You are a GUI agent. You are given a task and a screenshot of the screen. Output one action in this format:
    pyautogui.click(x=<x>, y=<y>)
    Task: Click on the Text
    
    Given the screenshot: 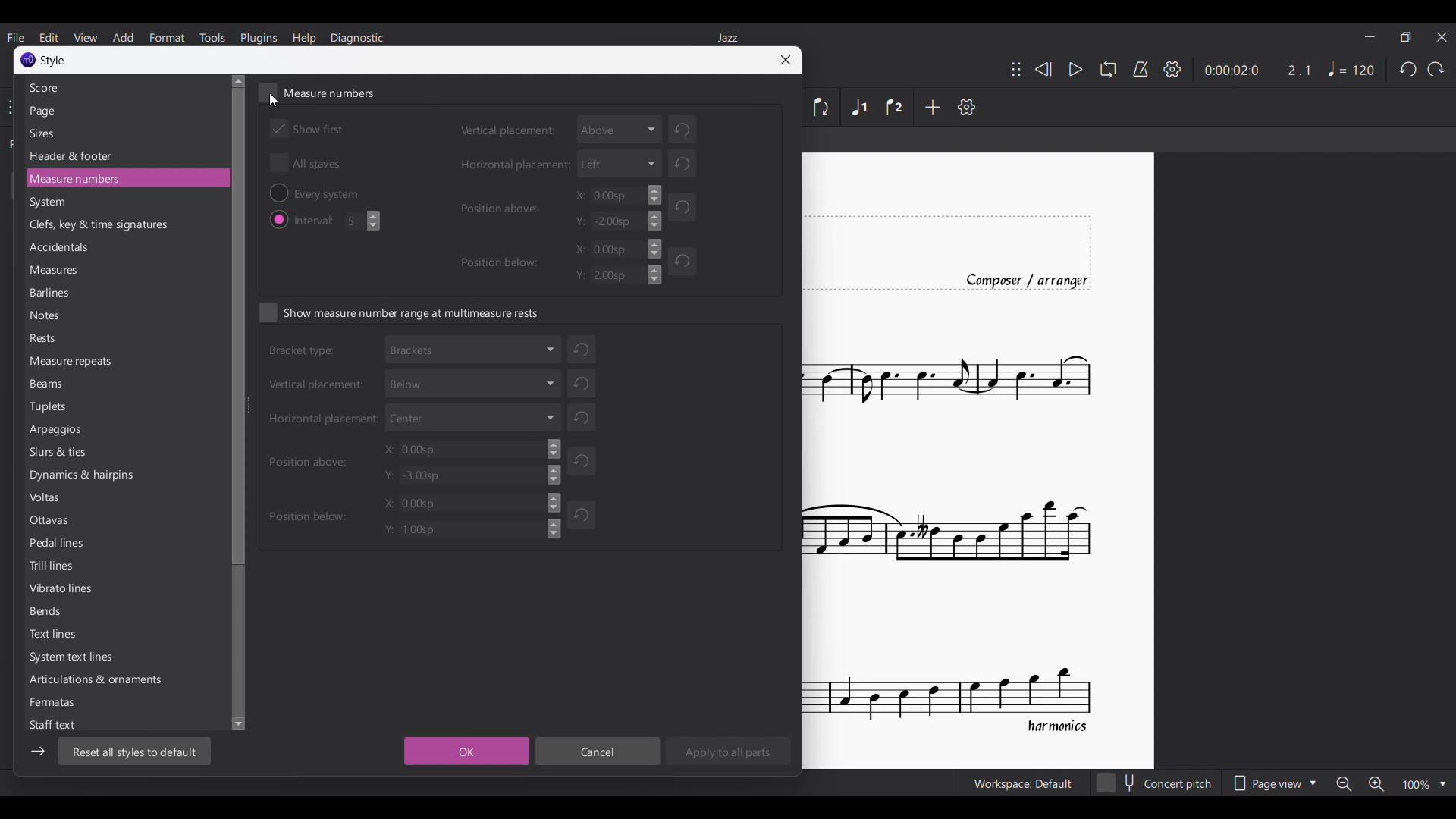 What is the action you would take?
    pyautogui.click(x=55, y=636)
    